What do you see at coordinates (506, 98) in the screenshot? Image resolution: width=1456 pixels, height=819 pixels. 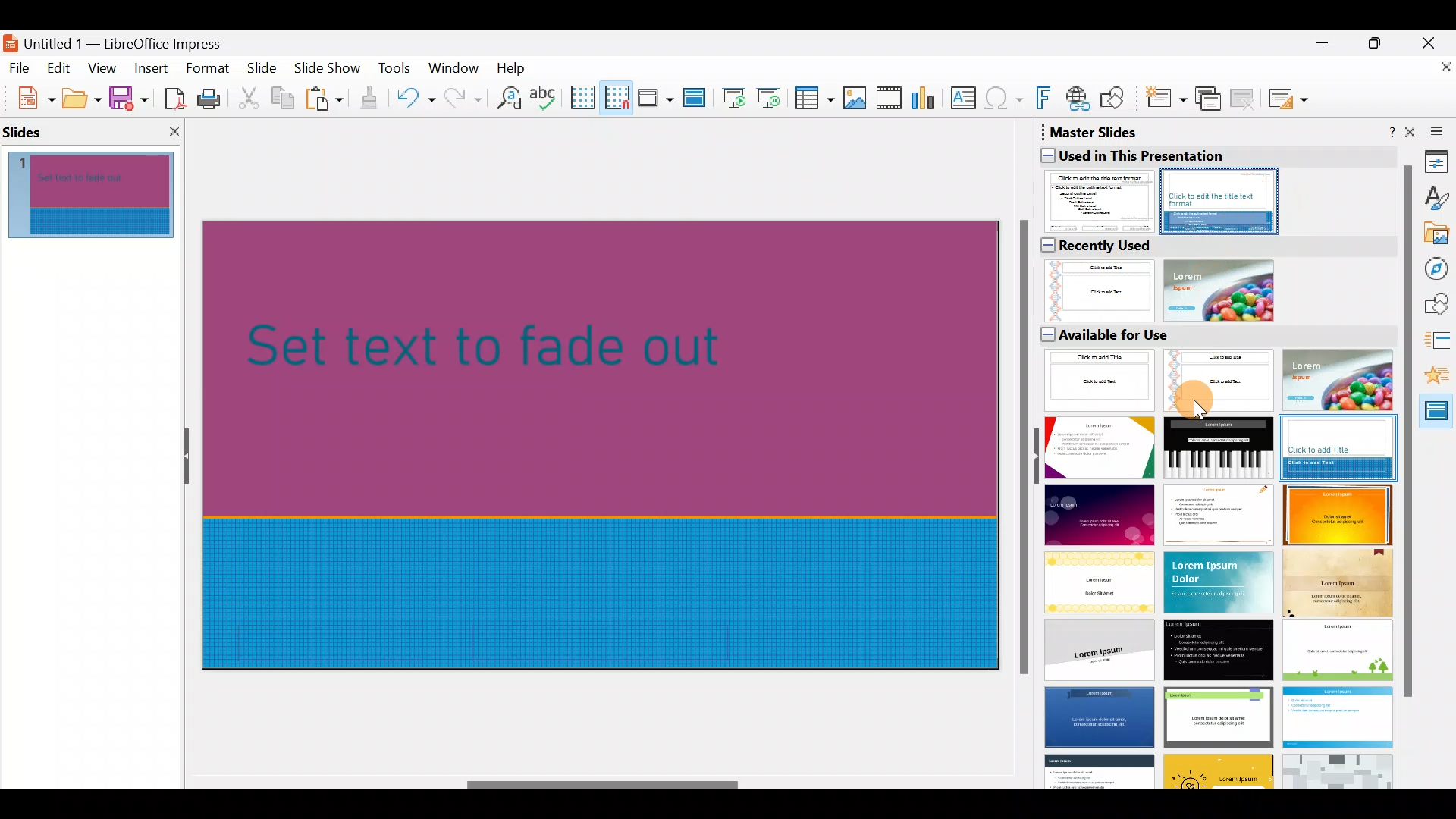 I see `Find and replace` at bounding box center [506, 98].